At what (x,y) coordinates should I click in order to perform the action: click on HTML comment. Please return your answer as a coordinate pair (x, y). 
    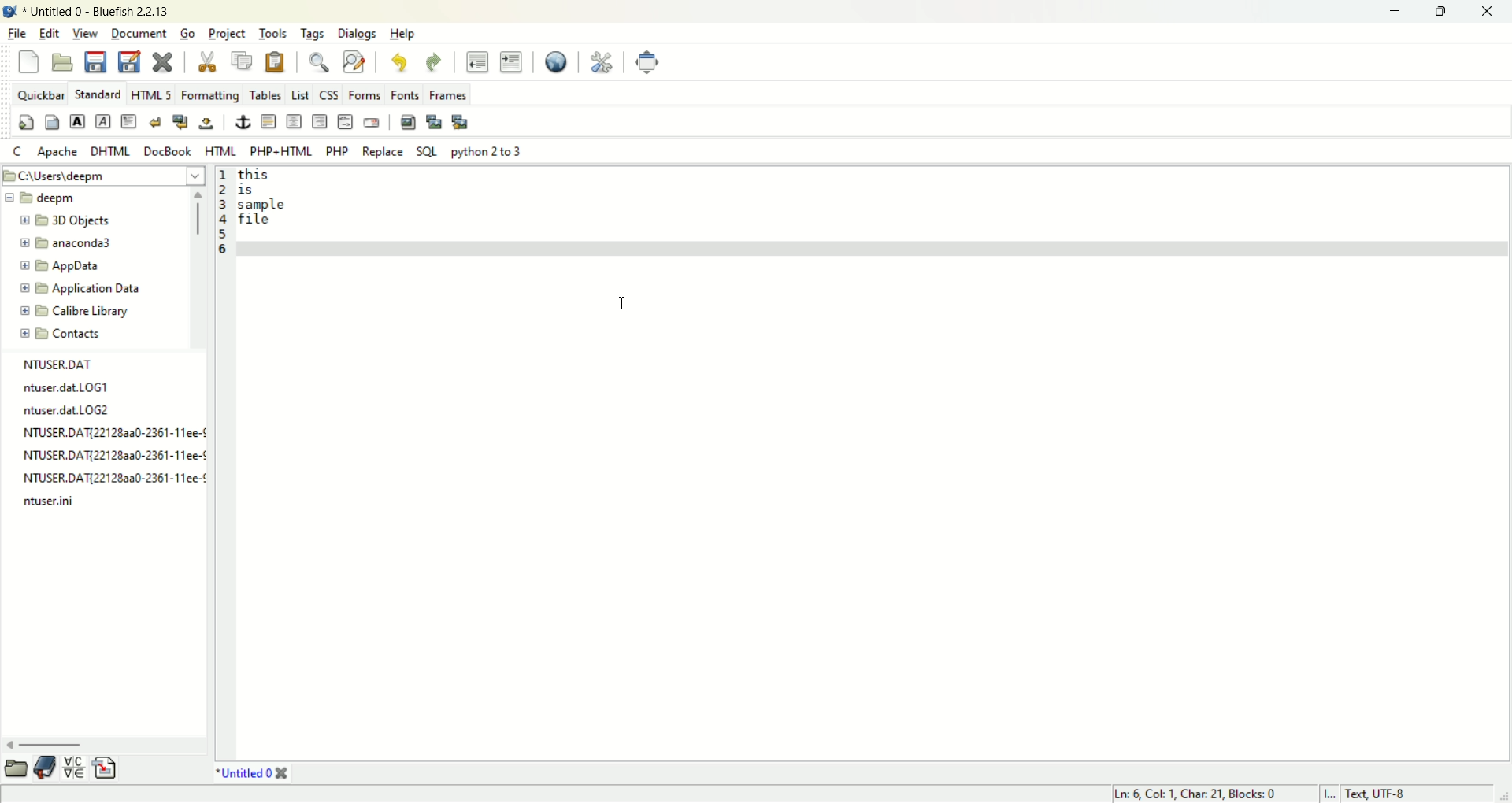
    Looking at the image, I should click on (345, 121).